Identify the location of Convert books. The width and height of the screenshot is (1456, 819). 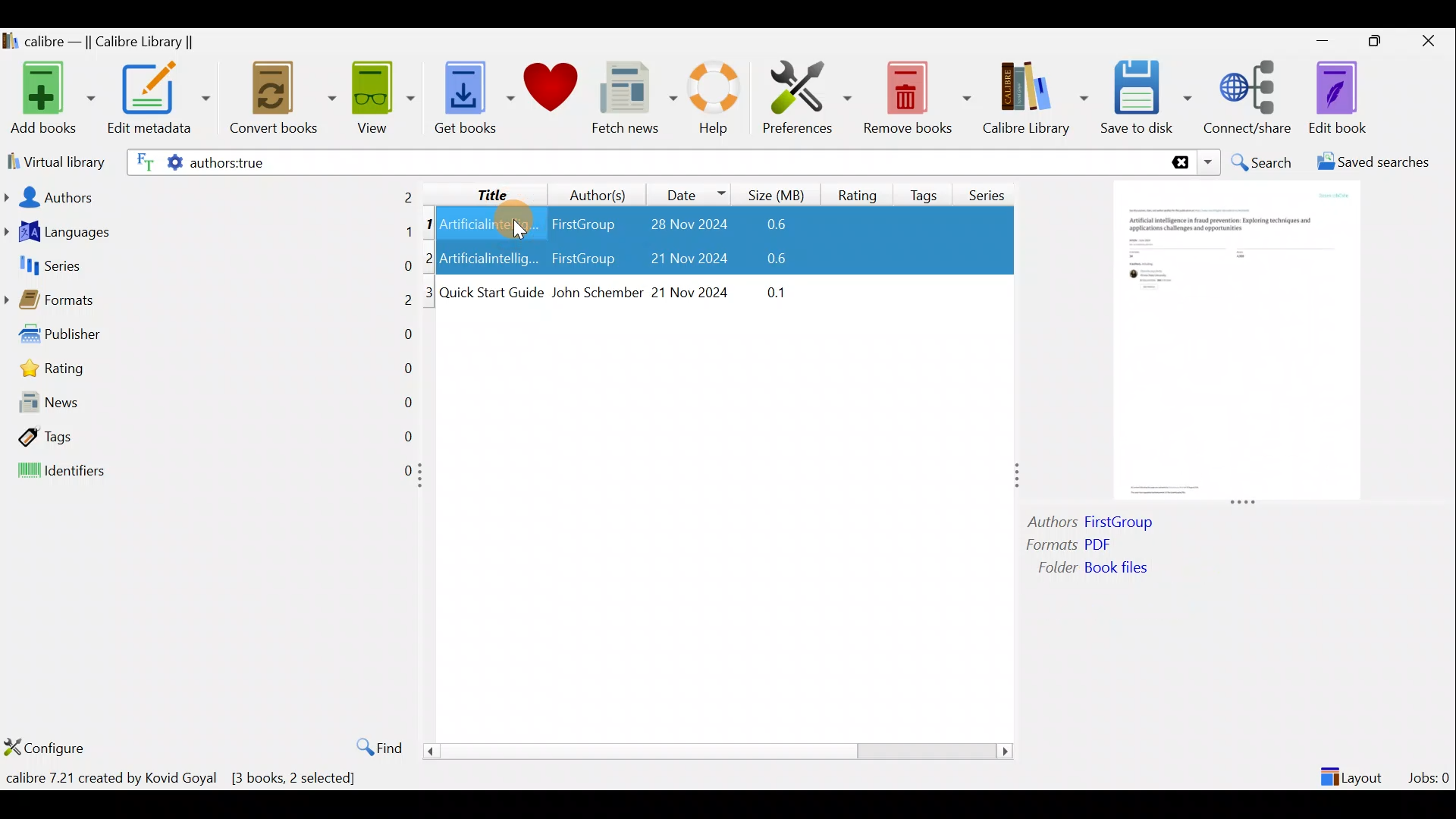
(283, 99).